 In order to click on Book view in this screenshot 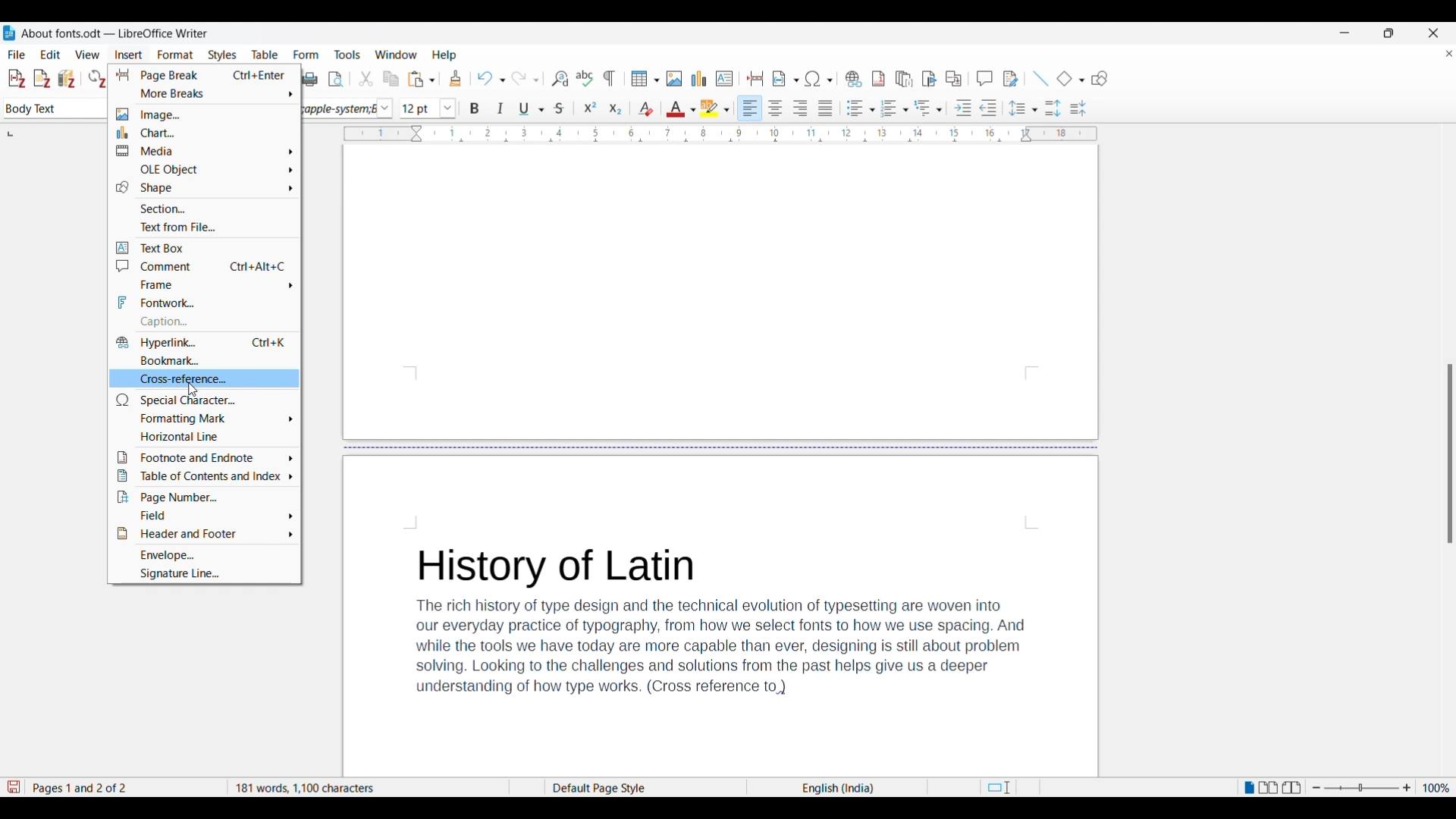, I will do `click(1292, 787)`.